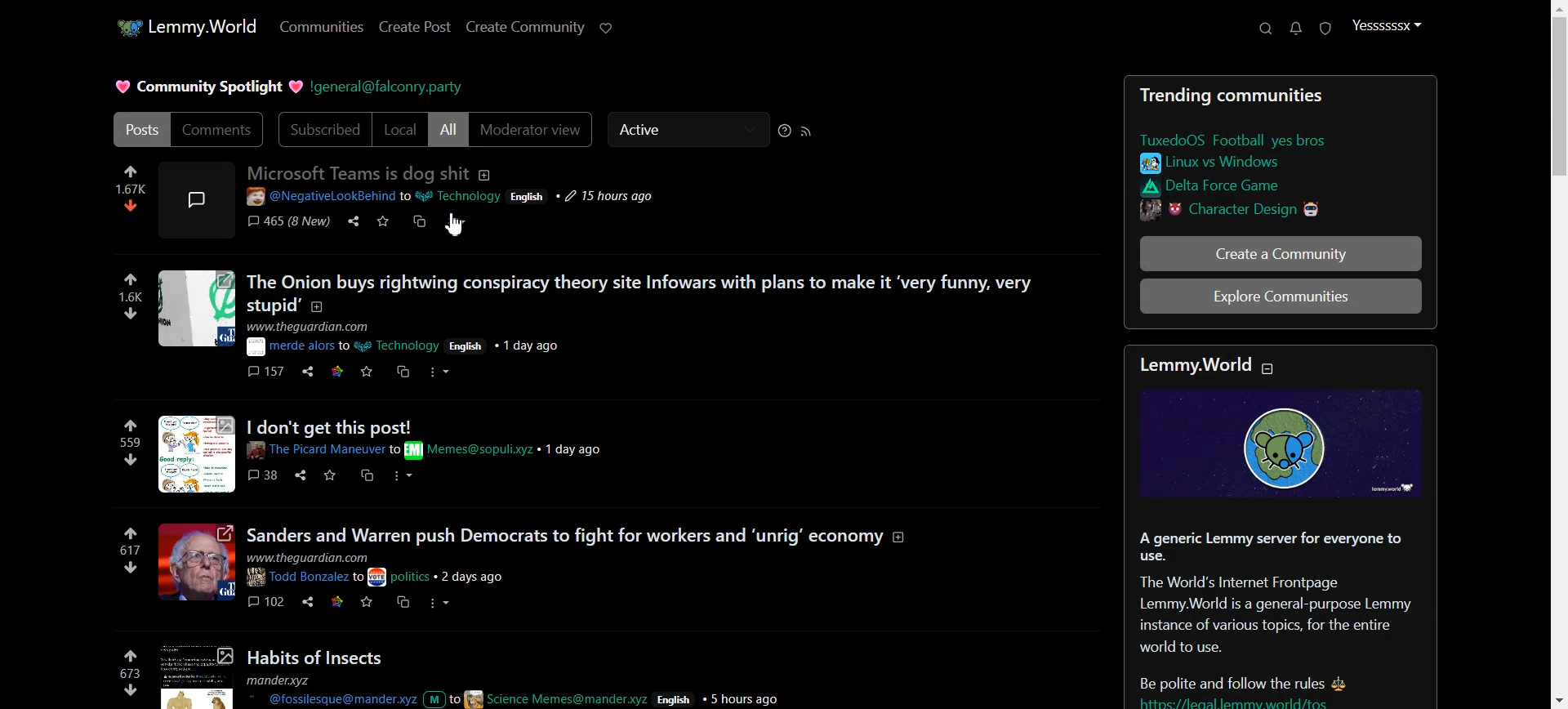 This screenshot has height=709, width=1568. What do you see at coordinates (194, 198) in the screenshot?
I see `image` at bounding box center [194, 198].